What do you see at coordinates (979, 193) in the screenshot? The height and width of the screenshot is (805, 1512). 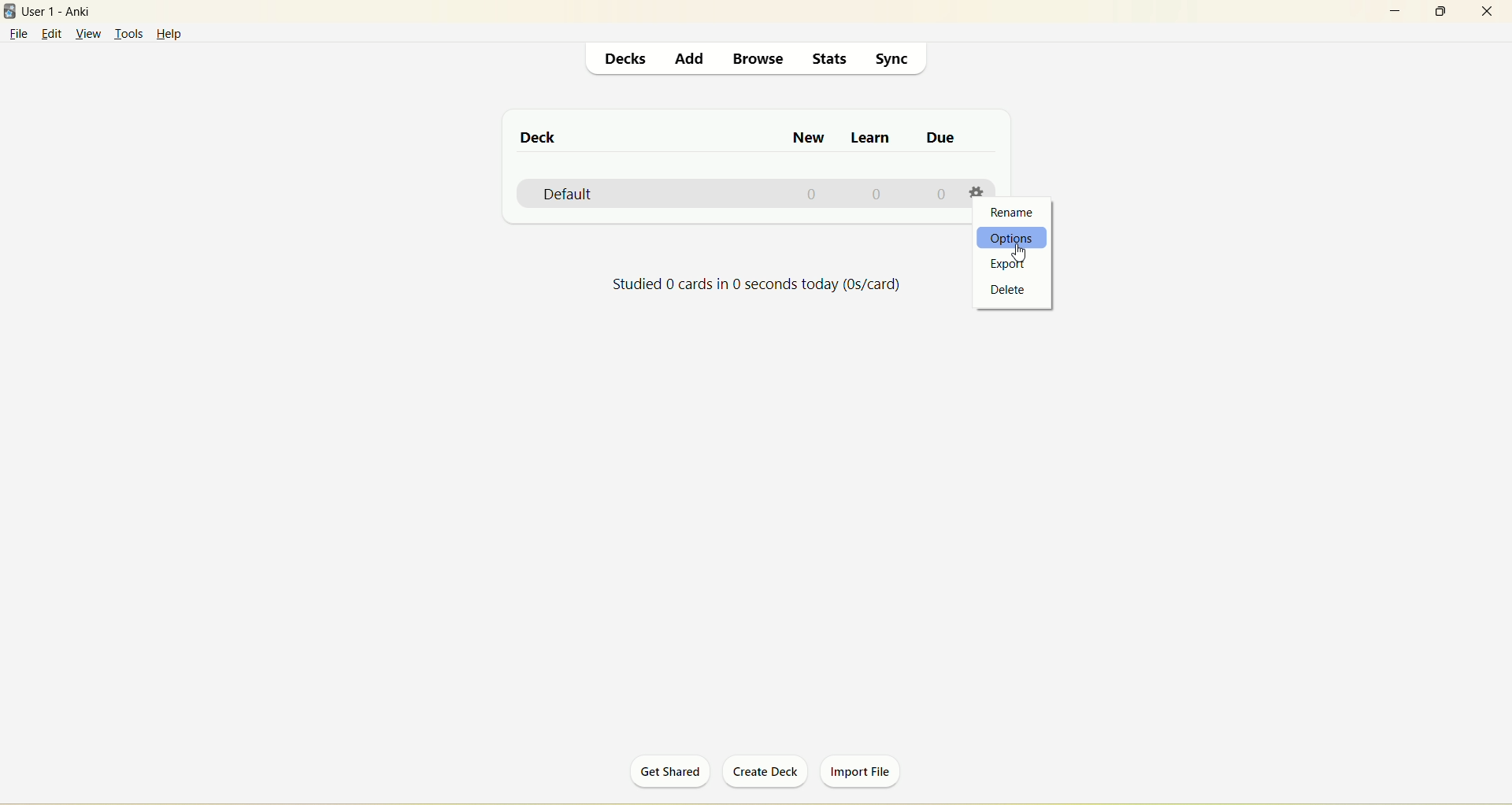 I see `settings` at bounding box center [979, 193].